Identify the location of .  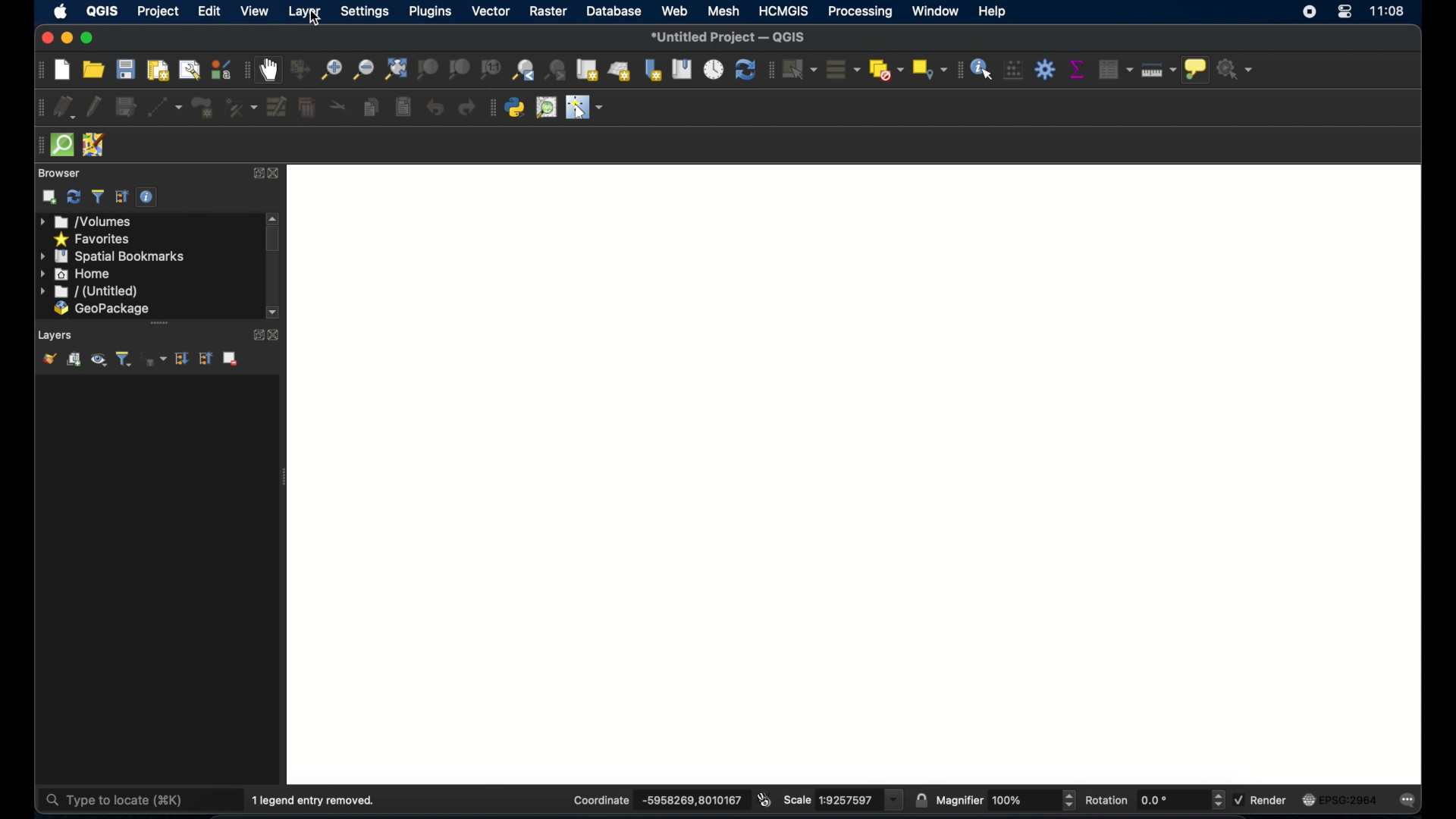
(1012, 800).